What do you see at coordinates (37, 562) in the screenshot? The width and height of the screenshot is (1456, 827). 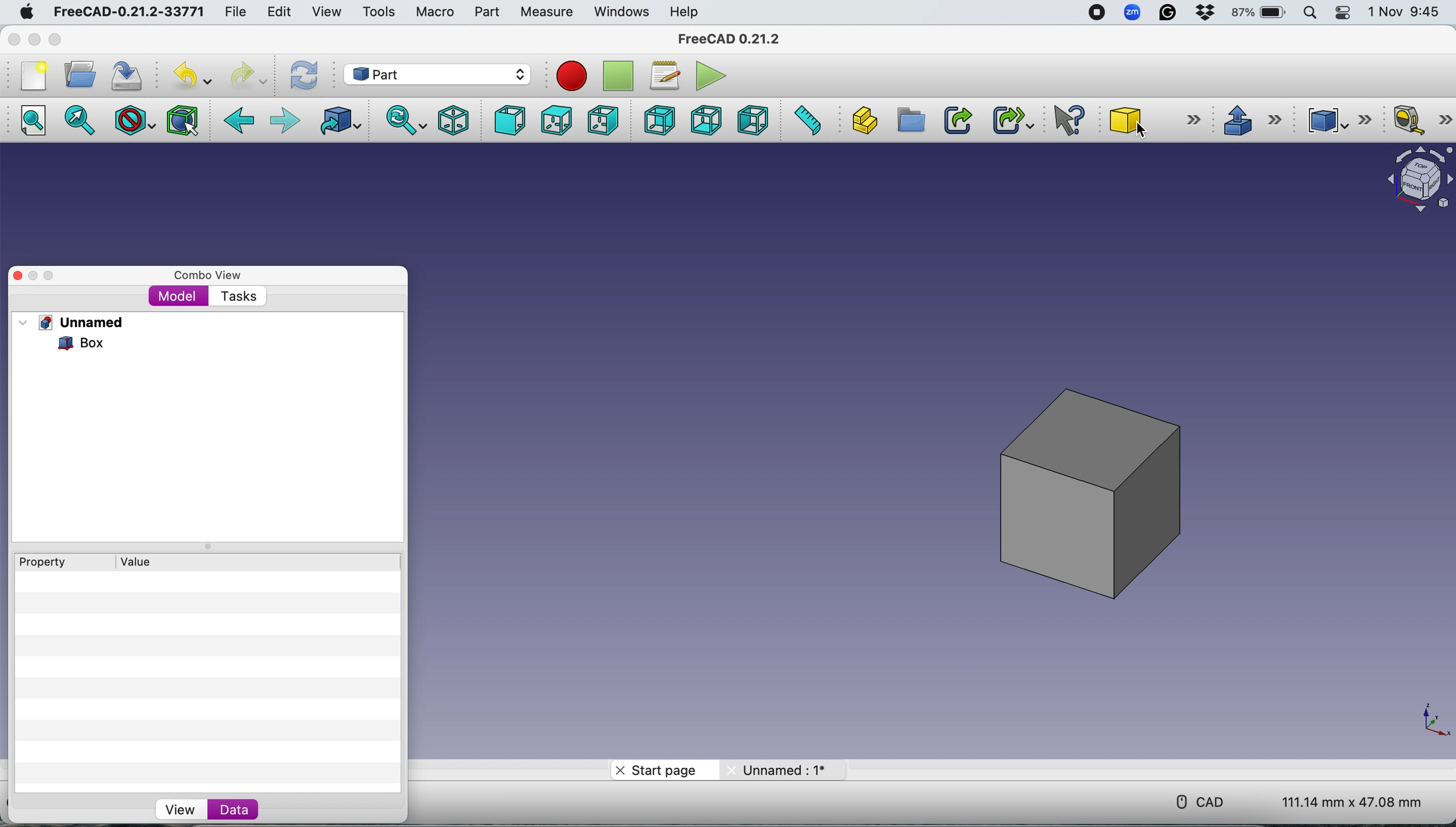 I see `Property` at bounding box center [37, 562].